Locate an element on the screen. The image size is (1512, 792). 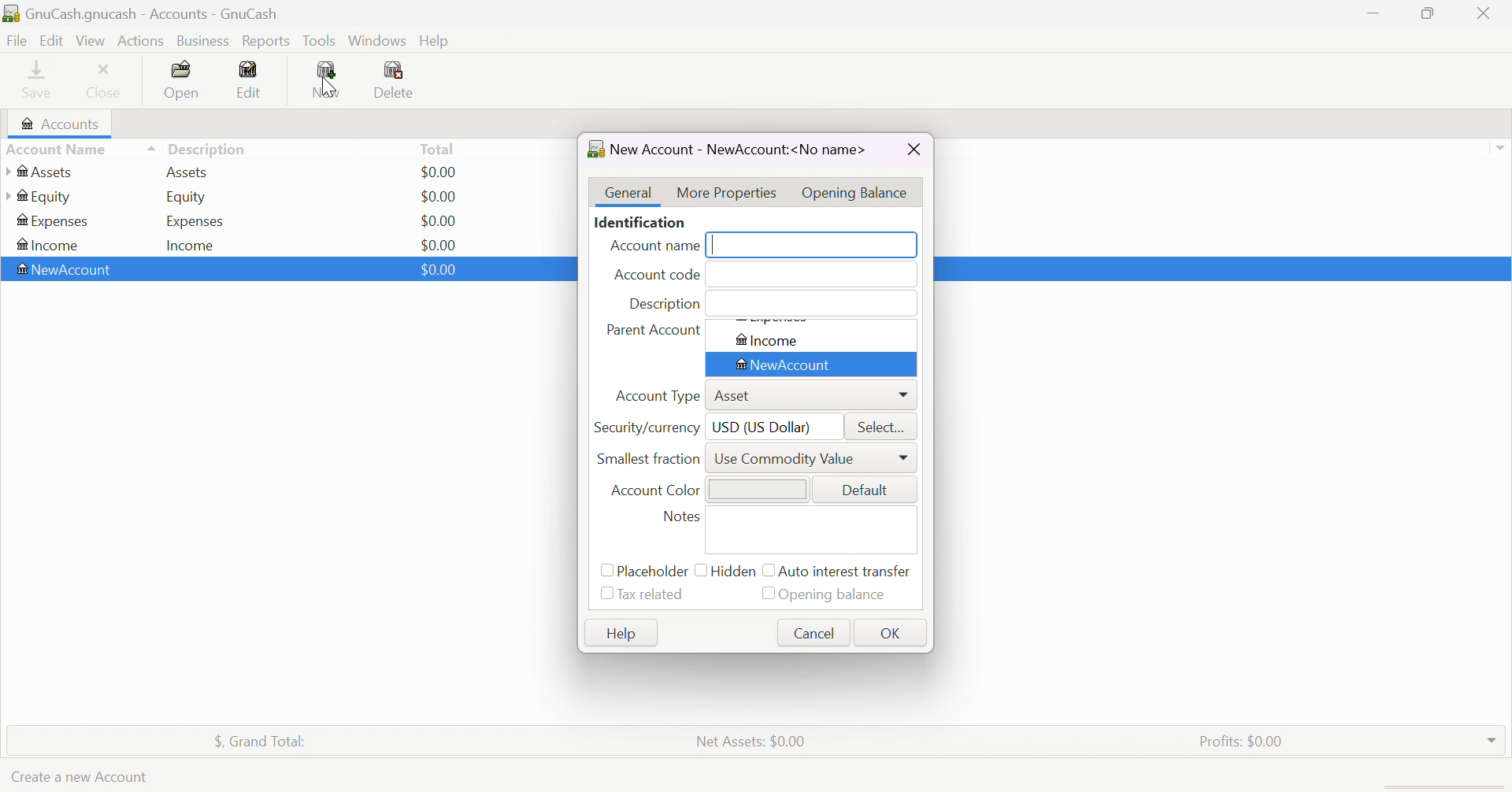
Total is located at coordinates (437, 151).